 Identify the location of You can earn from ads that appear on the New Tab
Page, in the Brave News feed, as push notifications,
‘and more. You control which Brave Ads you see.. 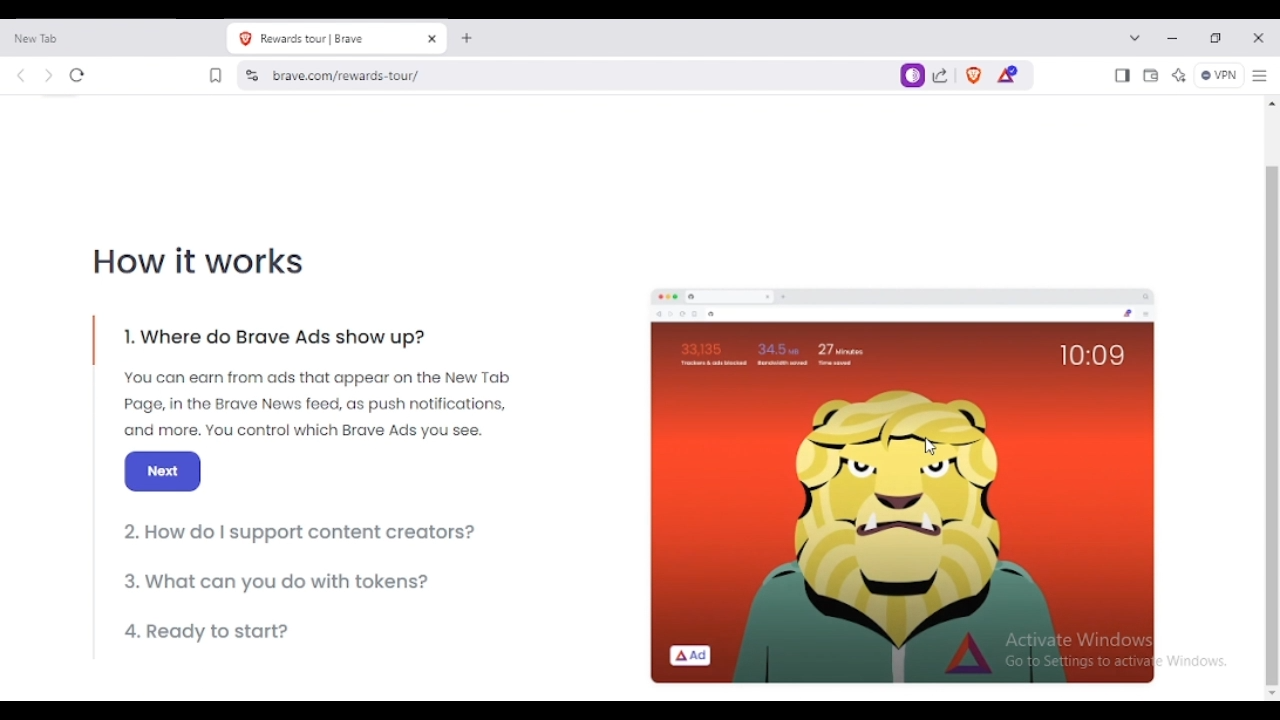
(317, 406).